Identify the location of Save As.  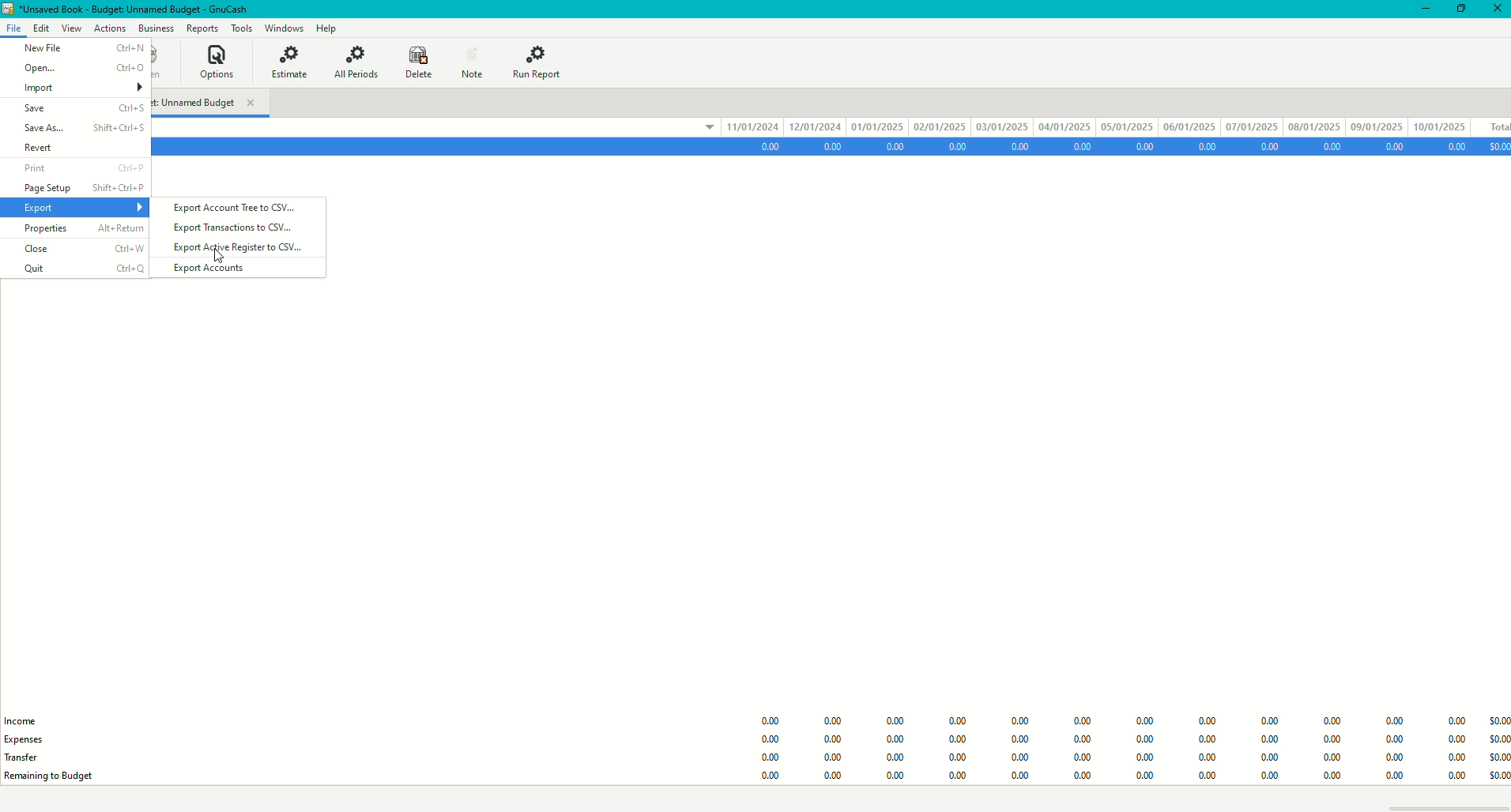
(83, 126).